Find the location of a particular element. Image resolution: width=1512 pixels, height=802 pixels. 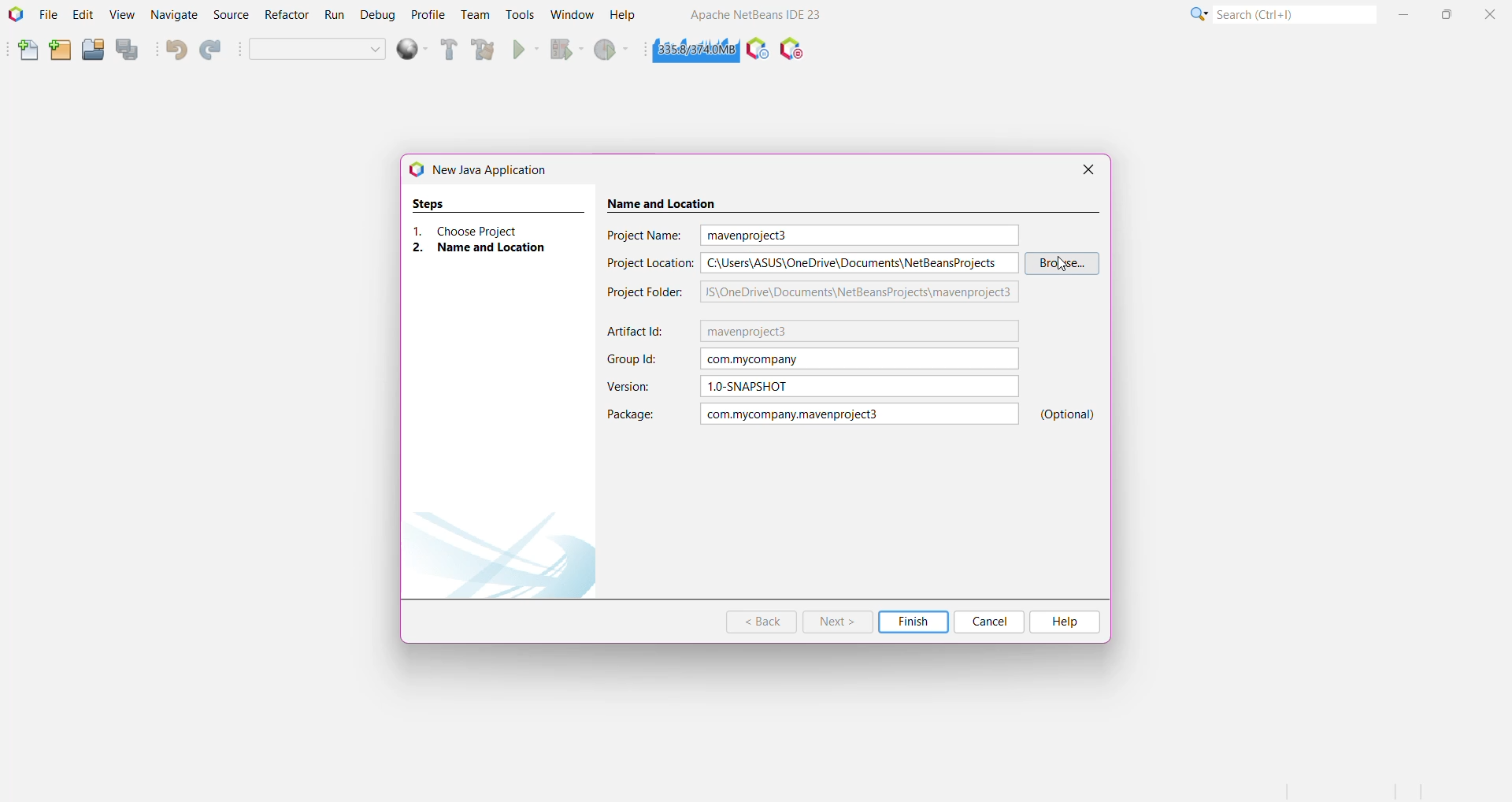

Window is located at coordinates (569, 16).